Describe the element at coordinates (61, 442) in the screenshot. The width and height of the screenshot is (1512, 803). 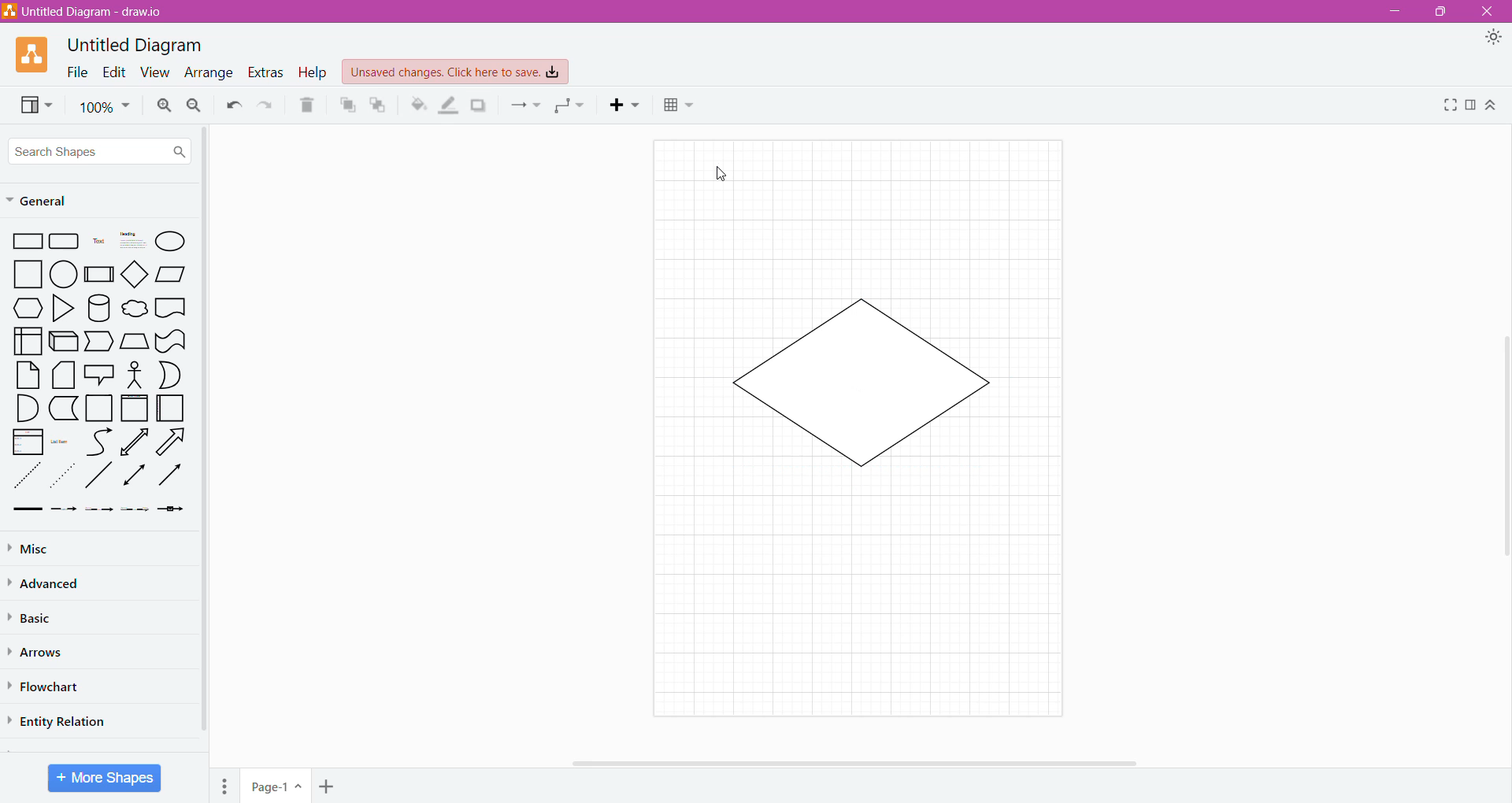
I see `List Item` at that location.